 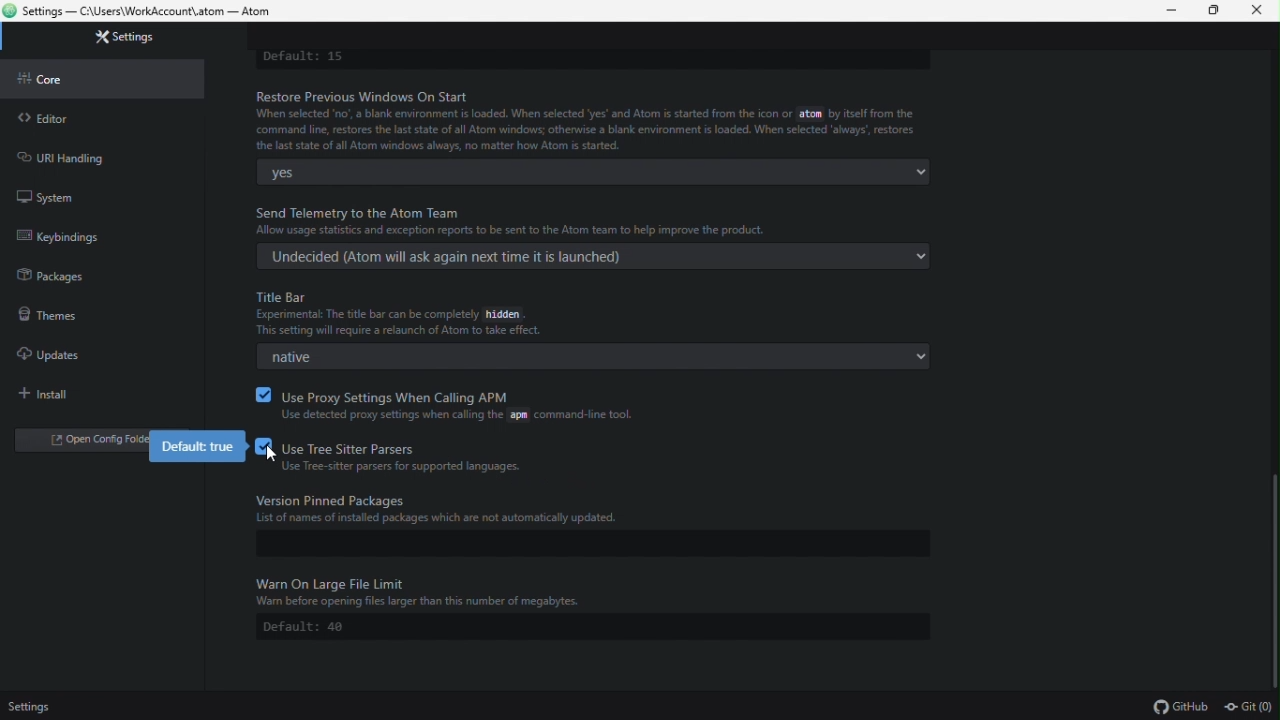 I want to click on native, so click(x=588, y=358).